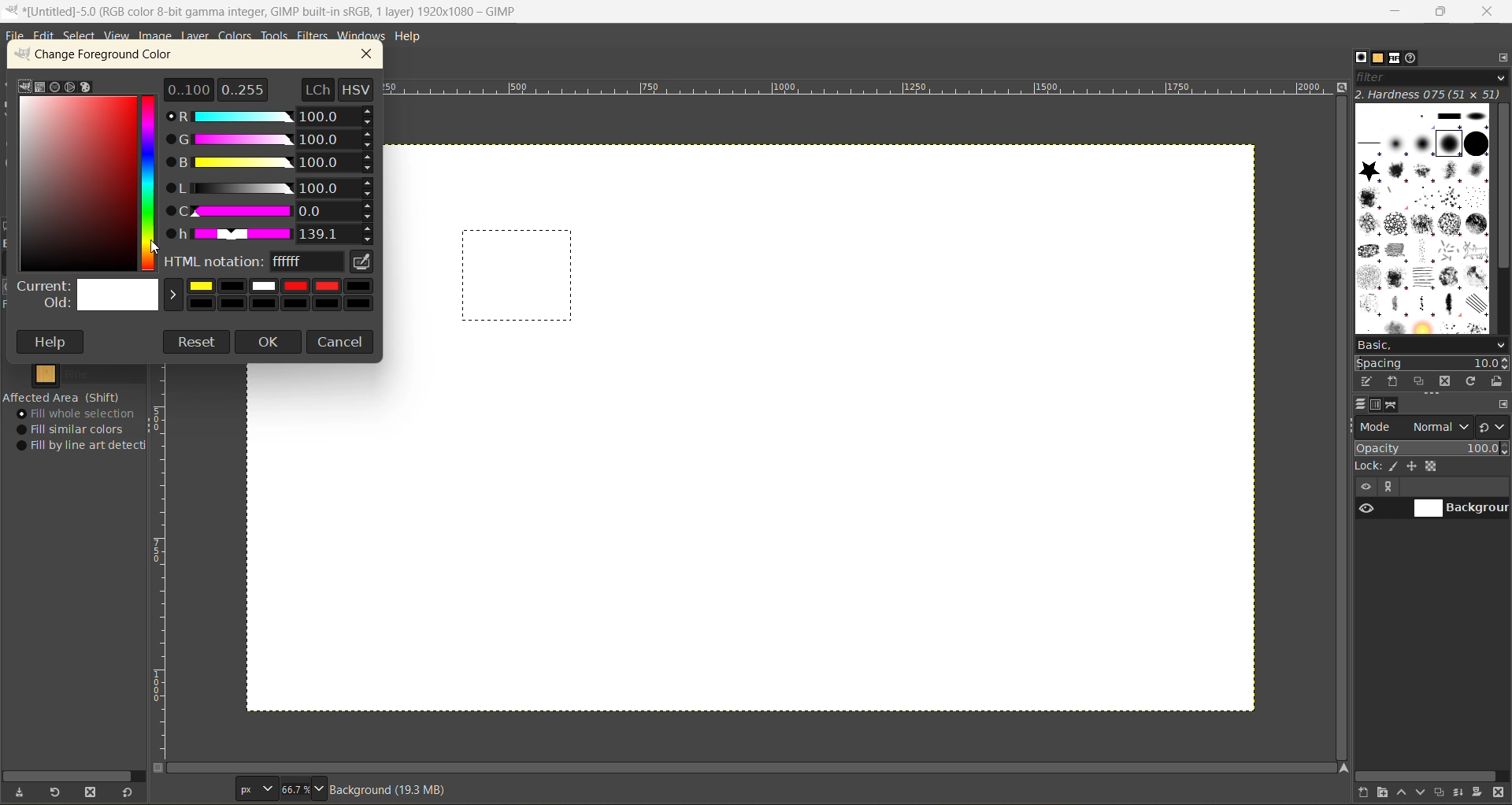  What do you see at coordinates (413, 35) in the screenshot?
I see `help` at bounding box center [413, 35].